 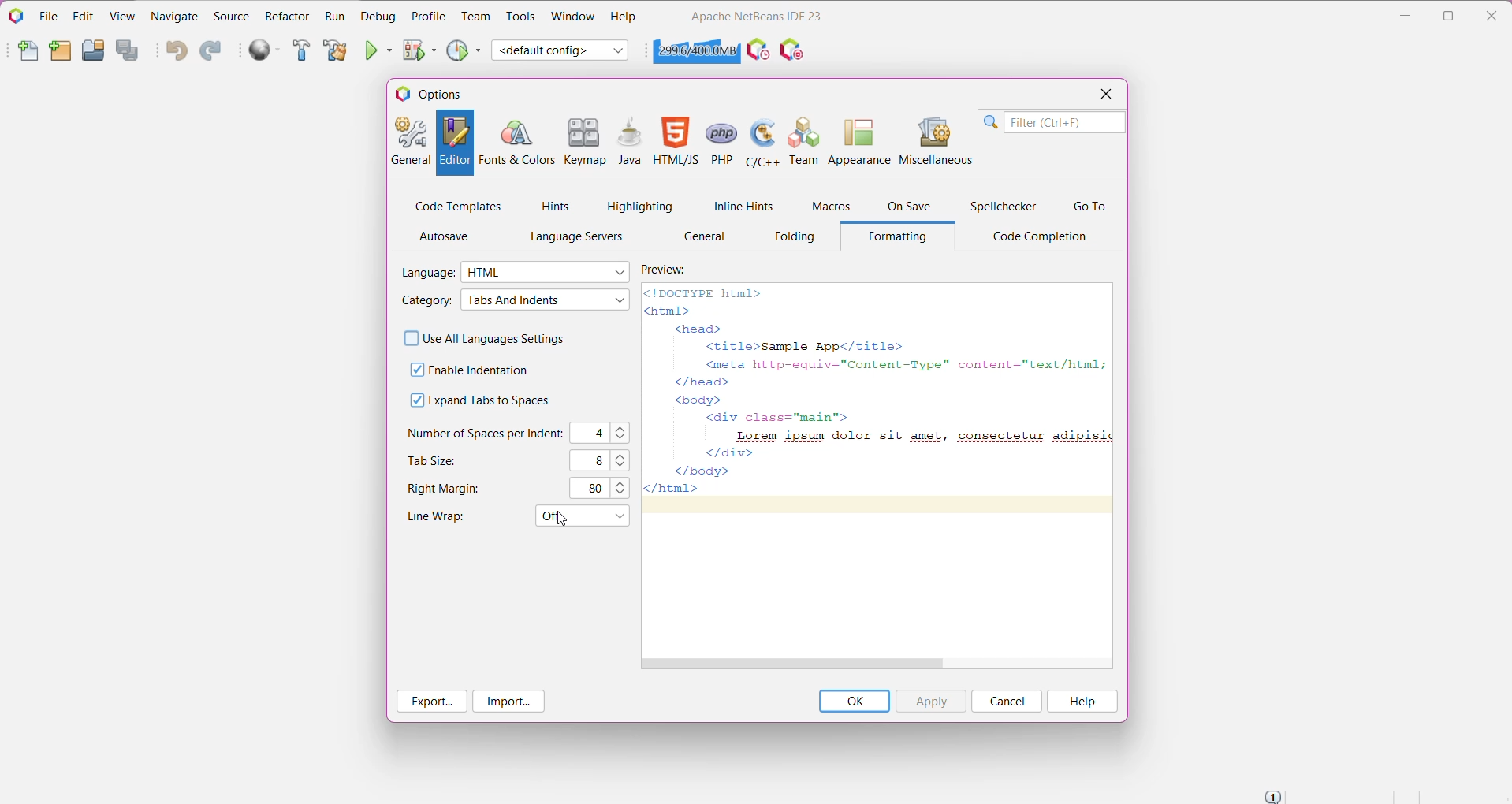 I want to click on <html>, so click(x=672, y=311).